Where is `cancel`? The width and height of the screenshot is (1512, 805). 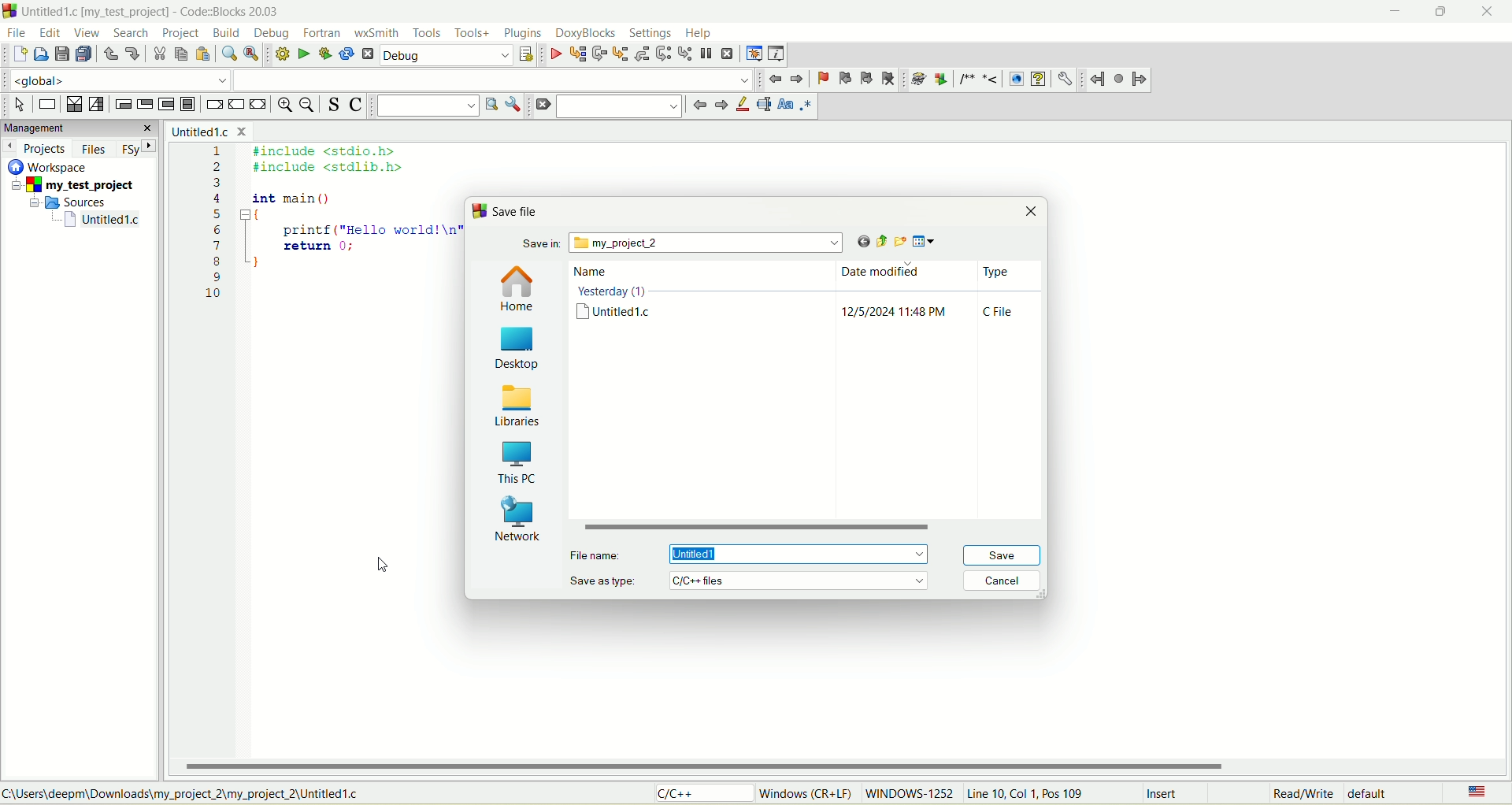 cancel is located at coordinates (1001, 583).